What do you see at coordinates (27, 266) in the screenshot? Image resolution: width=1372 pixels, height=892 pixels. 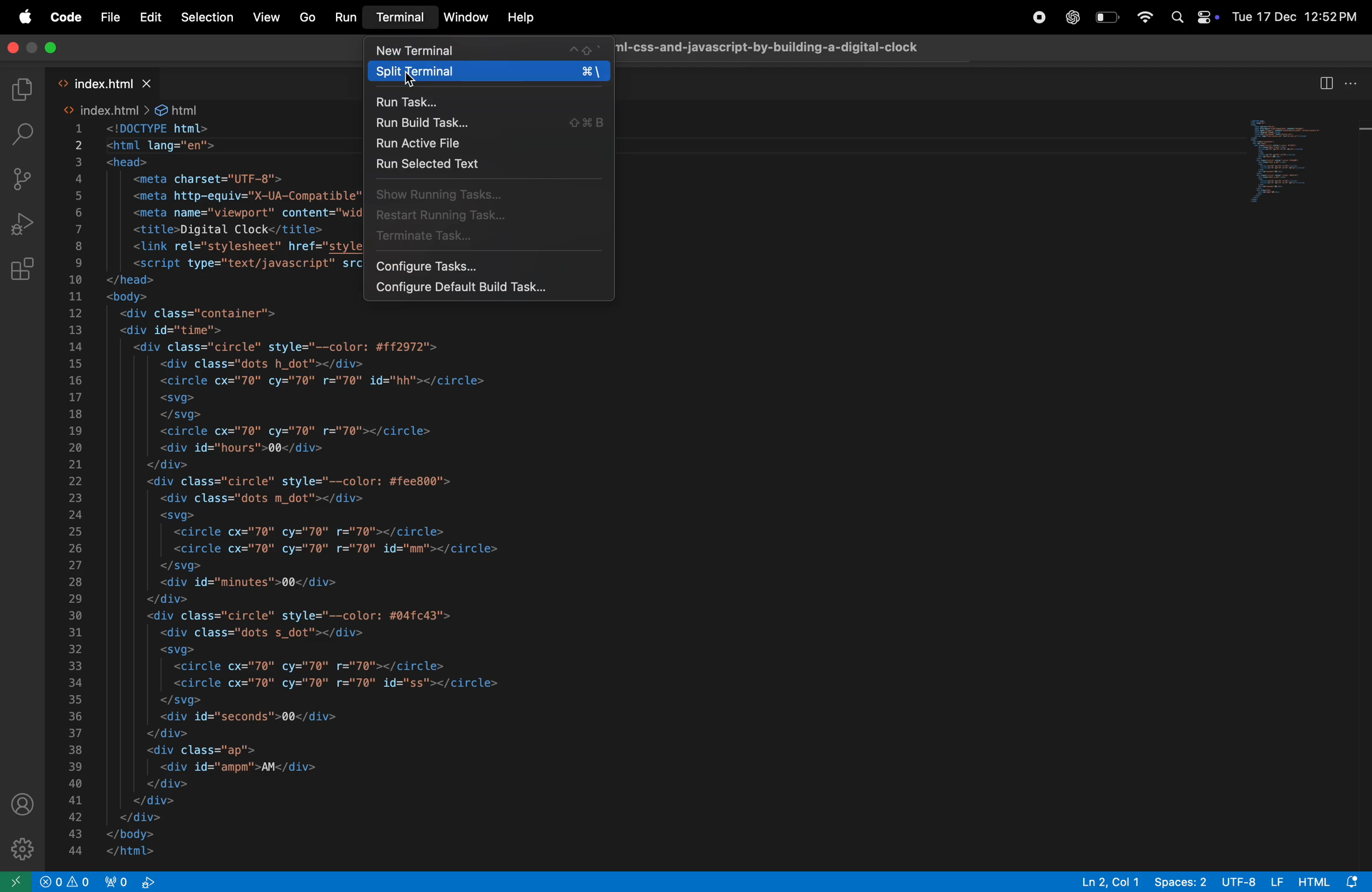 I see `extensions` at bounding box center [27, 266].